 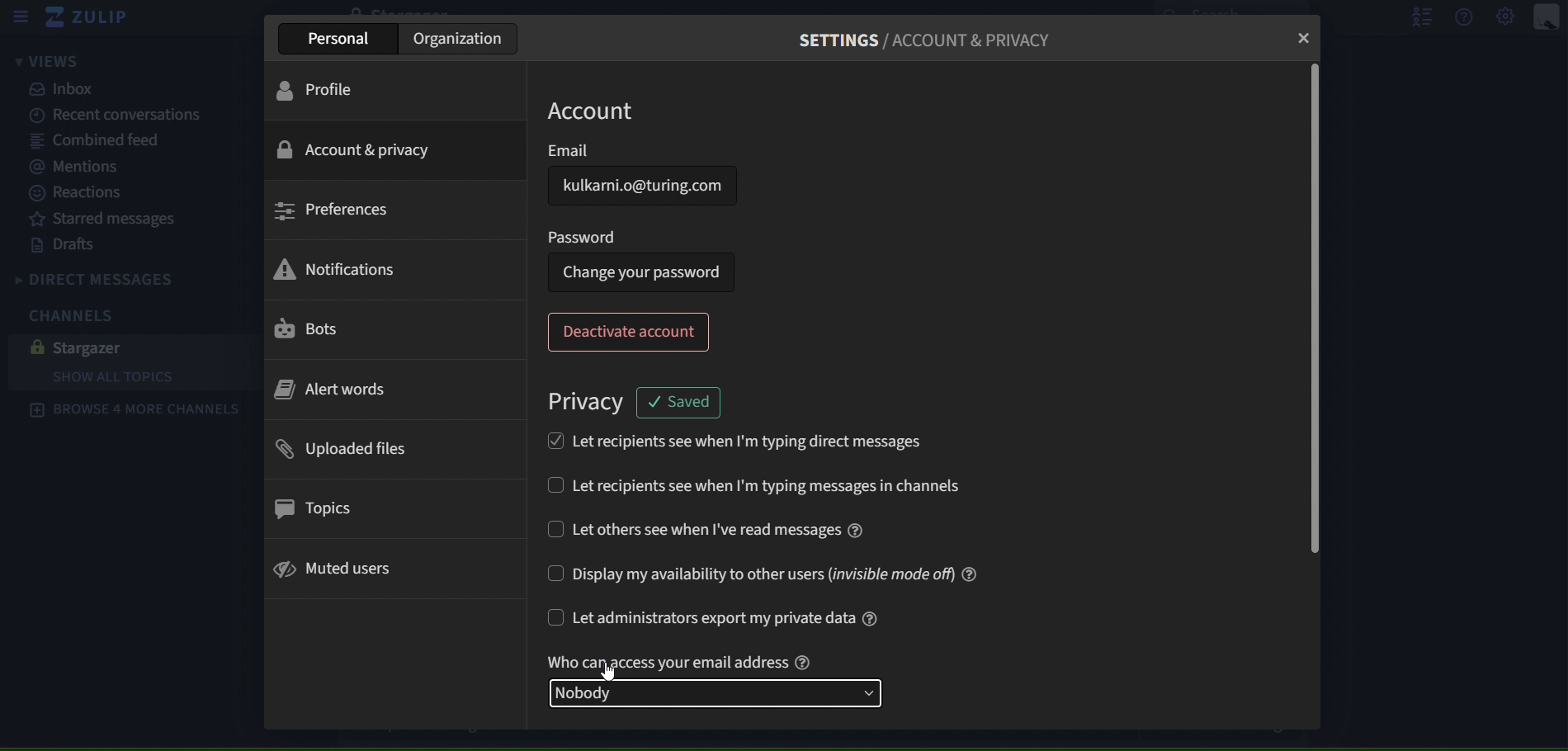 What do you see at coordinates (717, 620) in the screenshot?
I see `let administration export my private data` at bounding box center [717, 620].